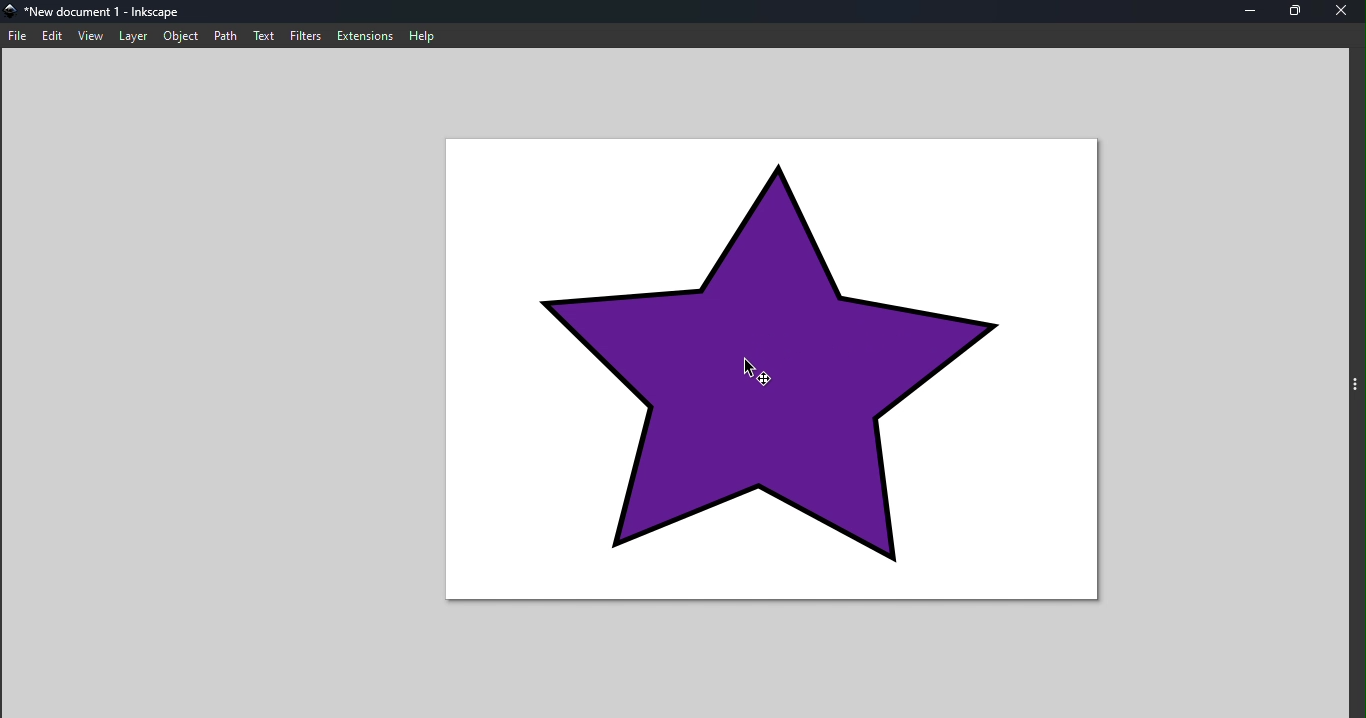 The width and height of the screenshot is (1366, 718). What do you see at coordinates (1257, 13) in the screenshot?
I see `Minimize` at bounding box center [1257, 13].